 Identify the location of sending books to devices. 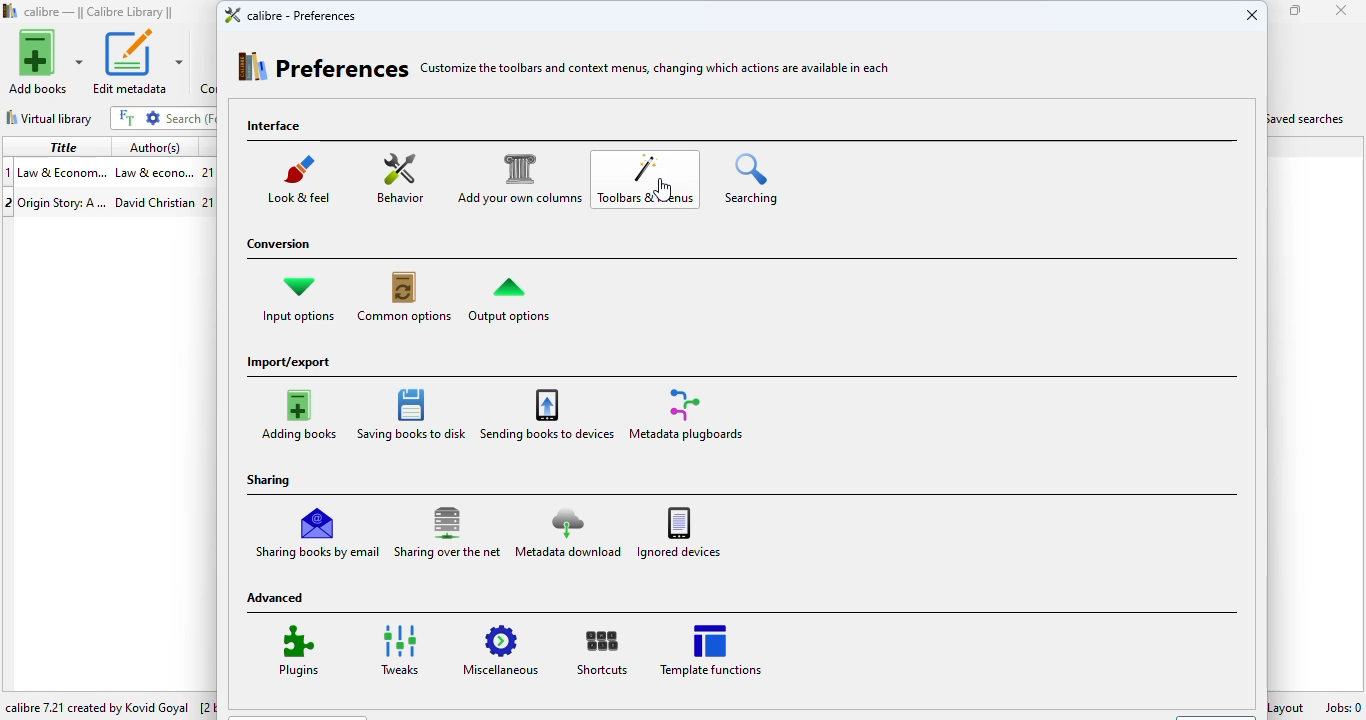
(547, 412).